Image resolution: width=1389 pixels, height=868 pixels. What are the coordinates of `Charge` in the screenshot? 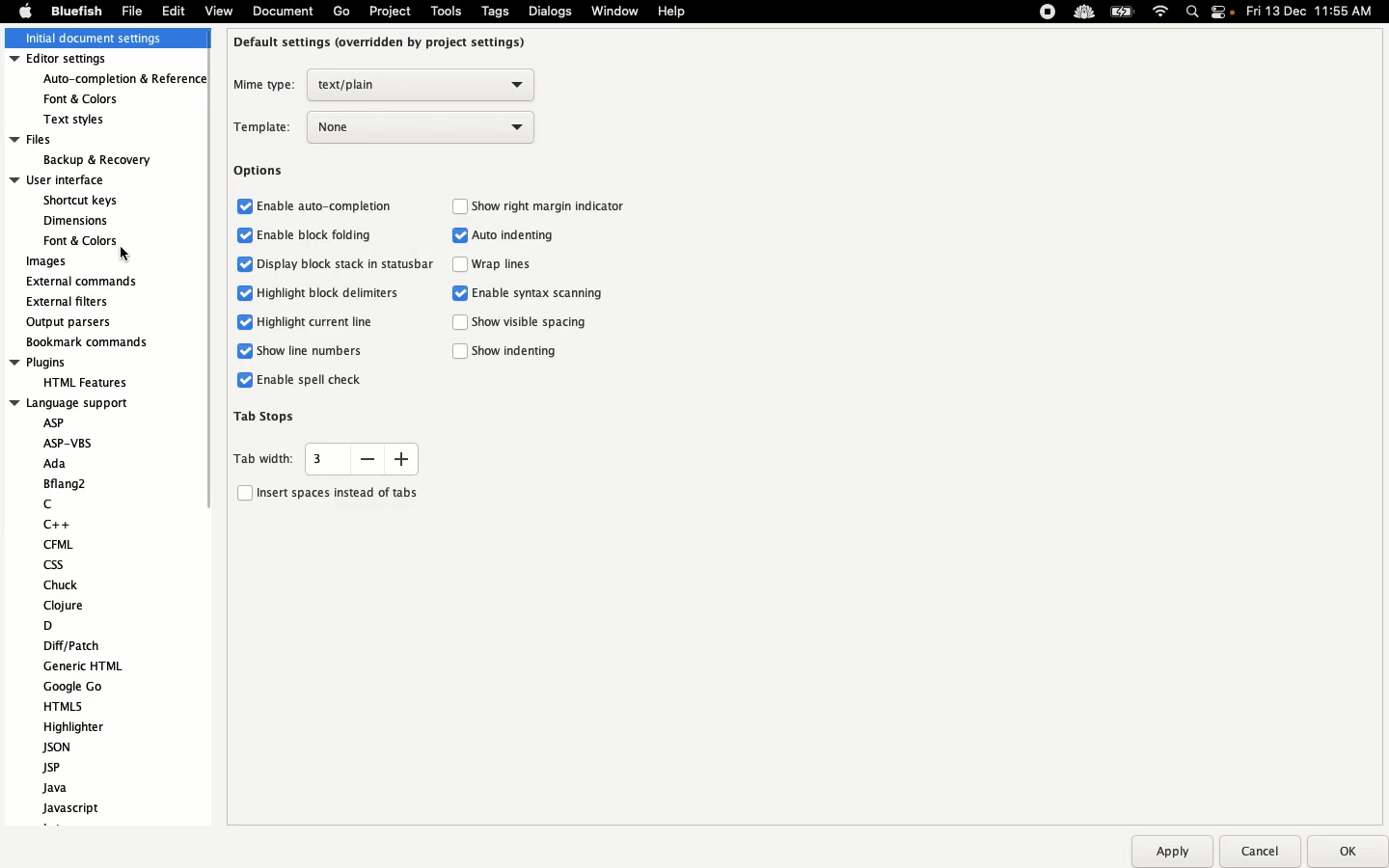 It's located at (1122, 14).